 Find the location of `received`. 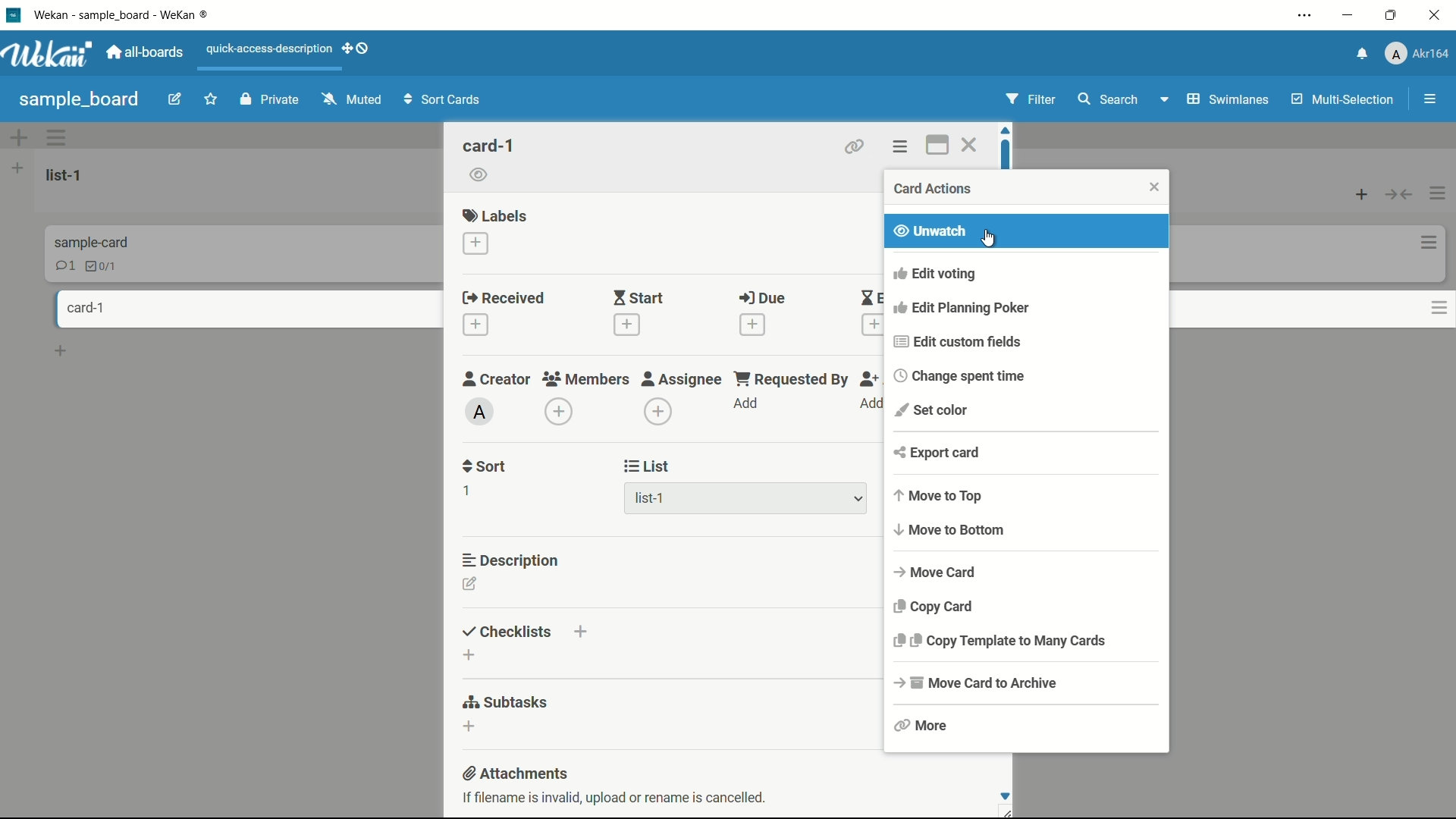

received is located at coordinates (503, 298).